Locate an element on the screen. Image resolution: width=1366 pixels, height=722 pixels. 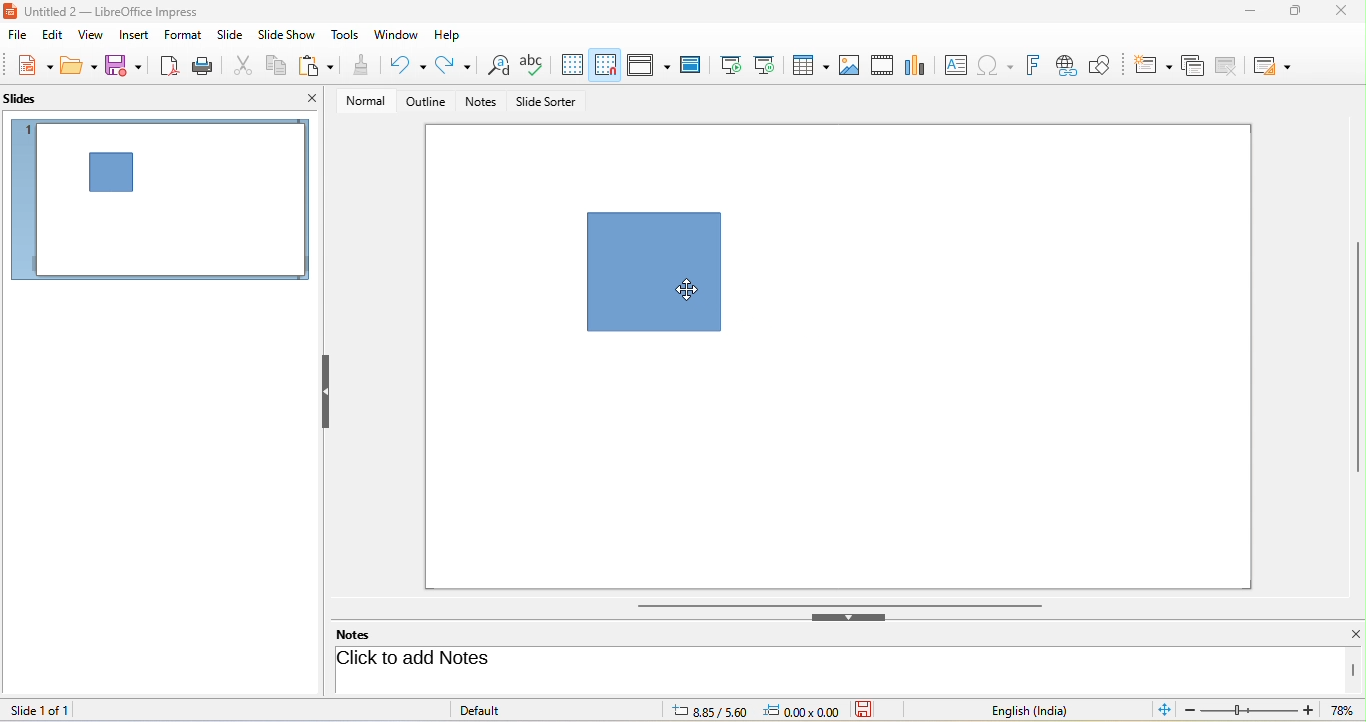
format is located at coordinates (186, 37).